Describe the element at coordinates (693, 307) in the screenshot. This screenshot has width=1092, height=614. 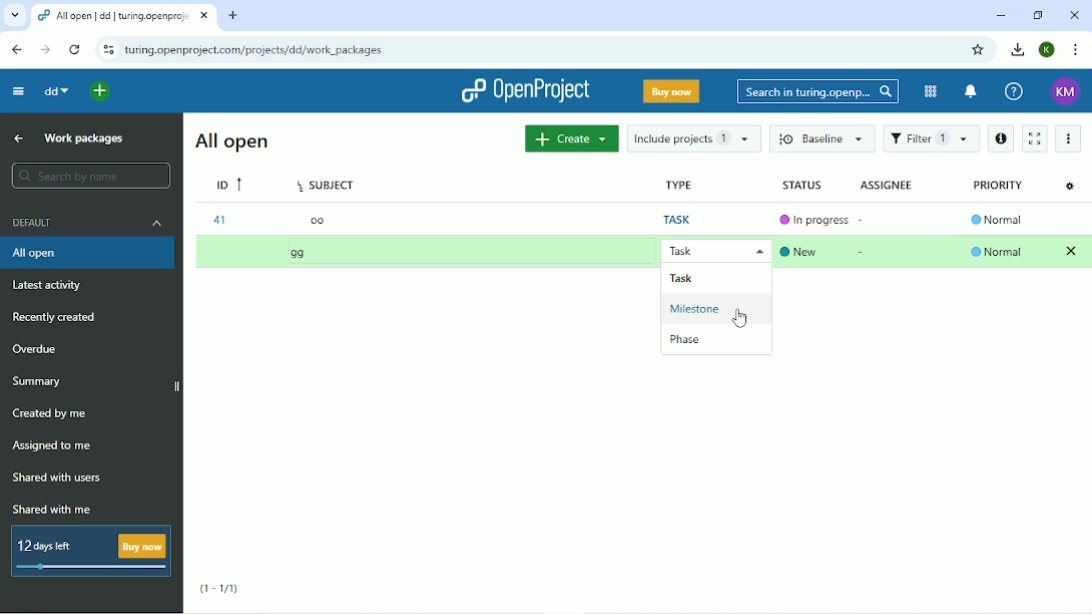
I see `Milestone` at that location.